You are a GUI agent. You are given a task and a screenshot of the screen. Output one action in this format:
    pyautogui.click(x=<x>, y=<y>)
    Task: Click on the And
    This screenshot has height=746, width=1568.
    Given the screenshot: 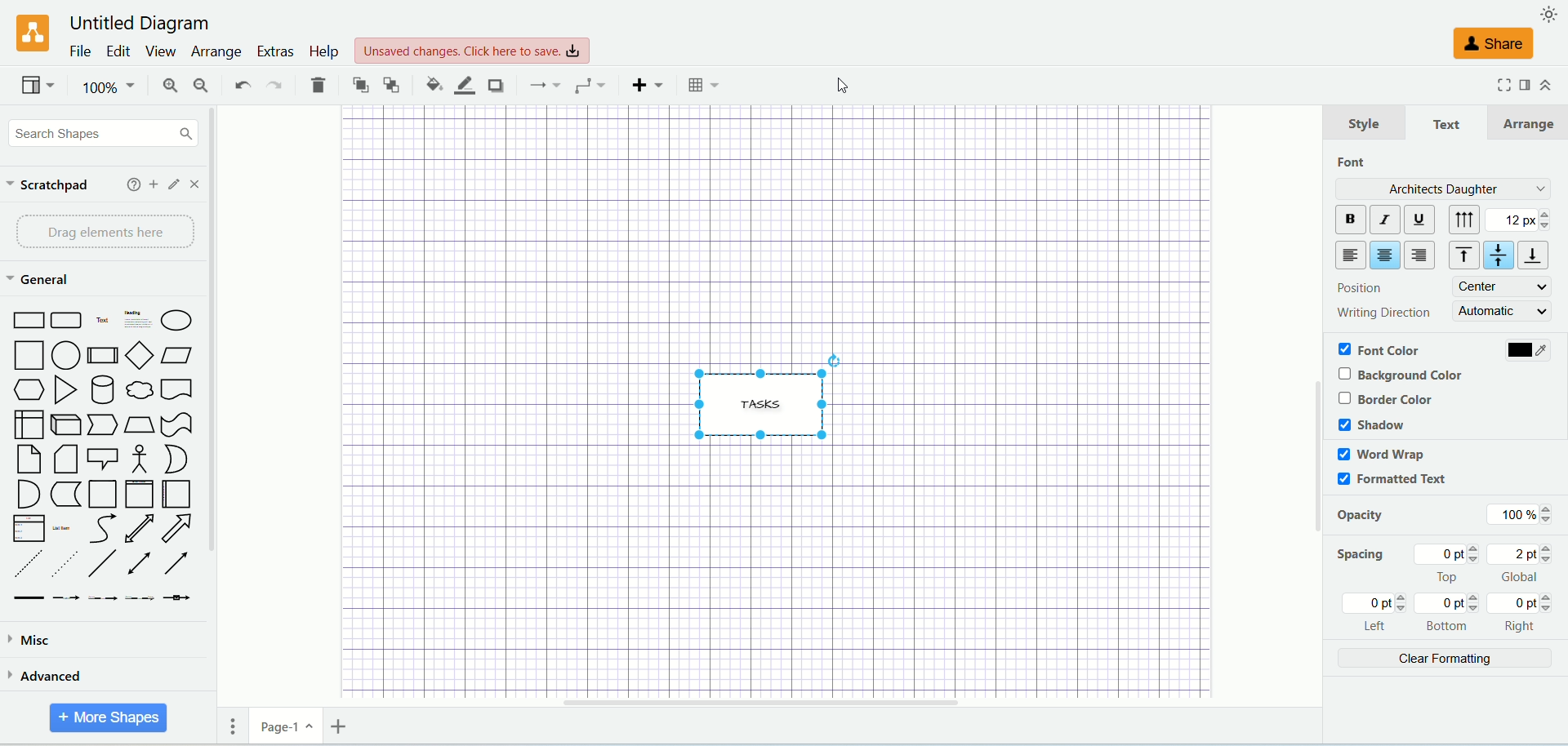 What is the action you would take?
    pyautogui.click(x=27, y=494)
    